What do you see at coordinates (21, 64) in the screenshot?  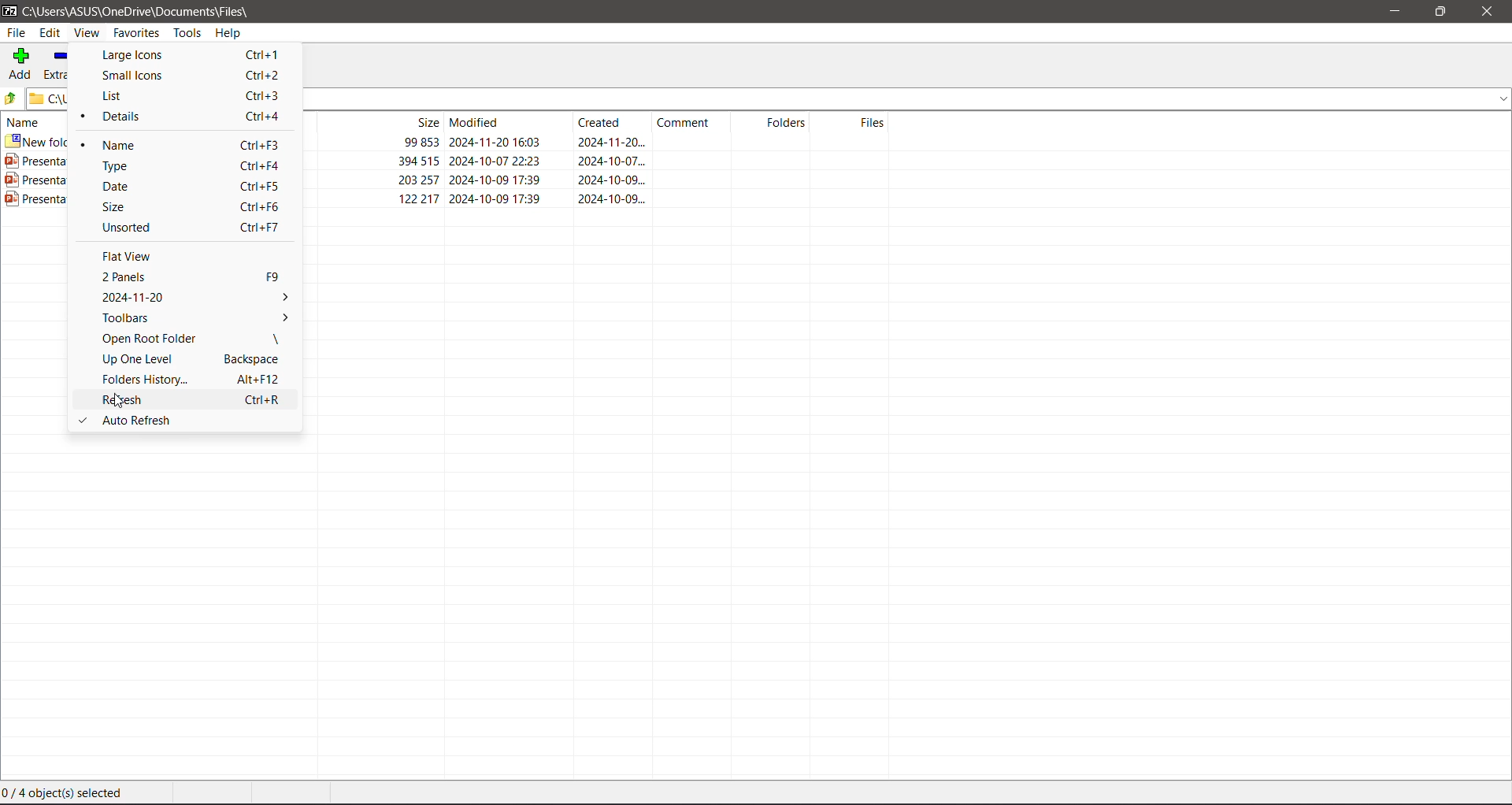 I see `Add` at bounding box center [21, 64].